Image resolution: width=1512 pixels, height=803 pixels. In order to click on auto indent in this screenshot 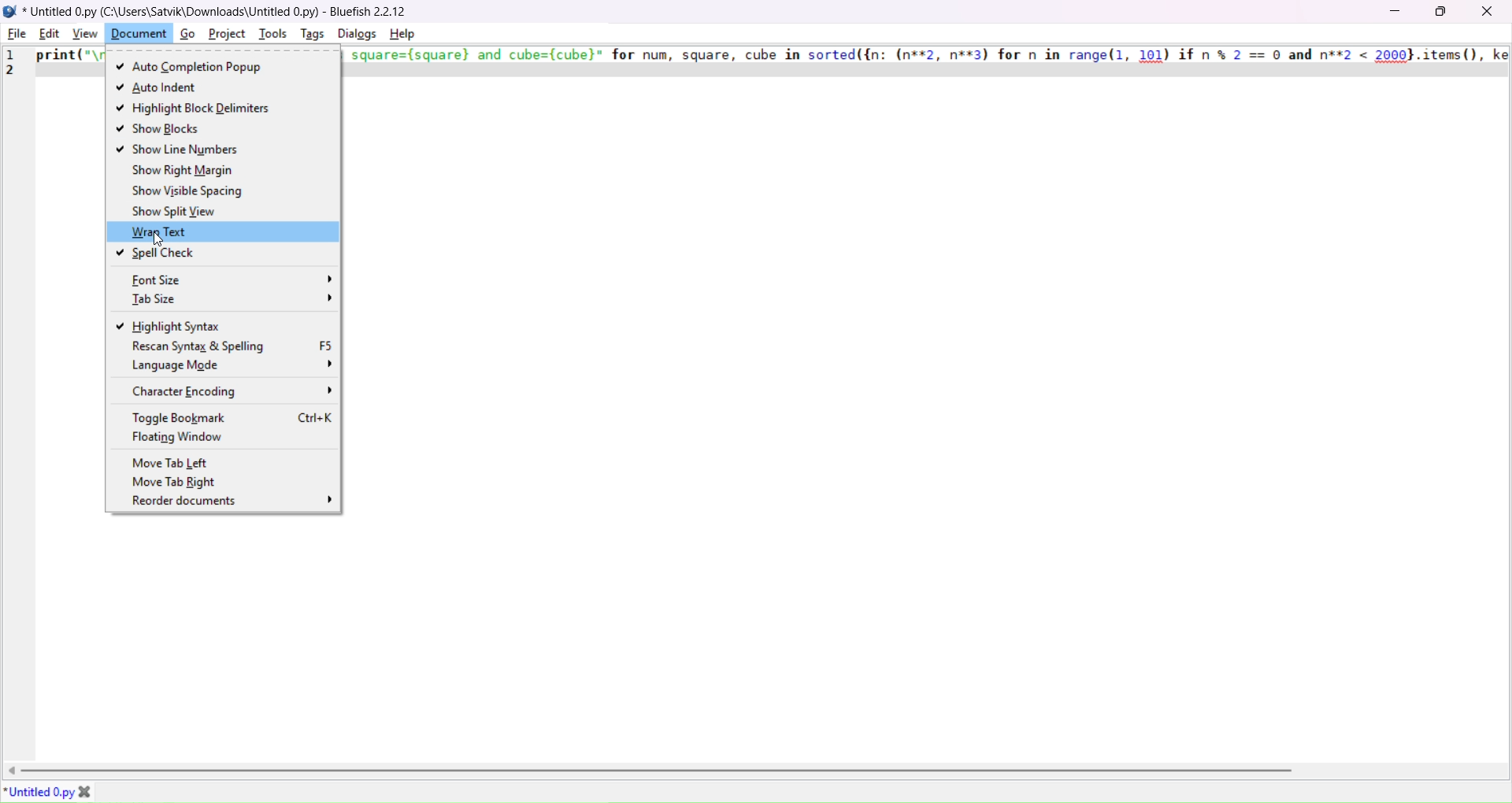, I will do `click(159, 91)`.